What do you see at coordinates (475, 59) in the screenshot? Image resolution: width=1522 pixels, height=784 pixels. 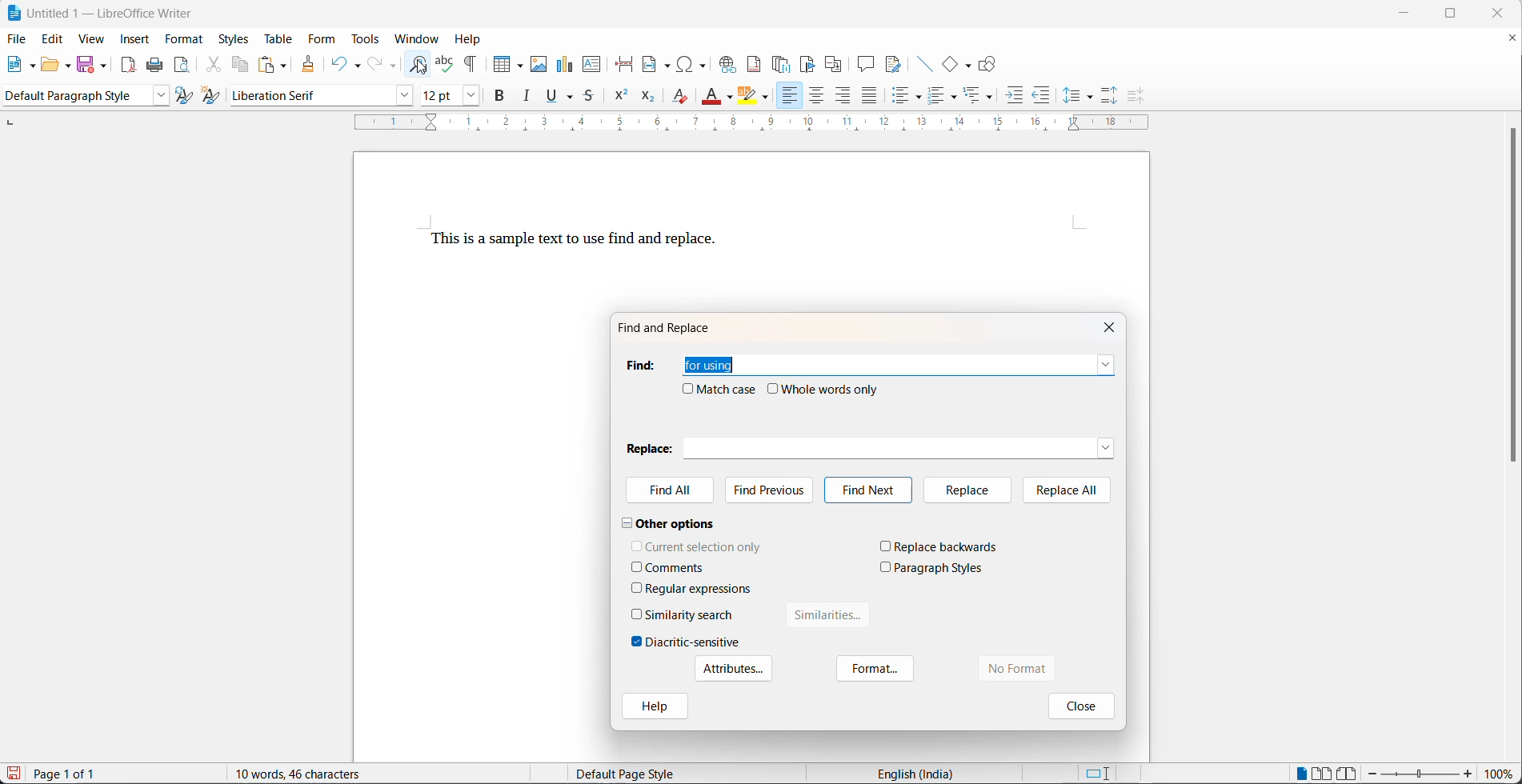 I see `toggle formatting marks` at bounding box center [475, 59].